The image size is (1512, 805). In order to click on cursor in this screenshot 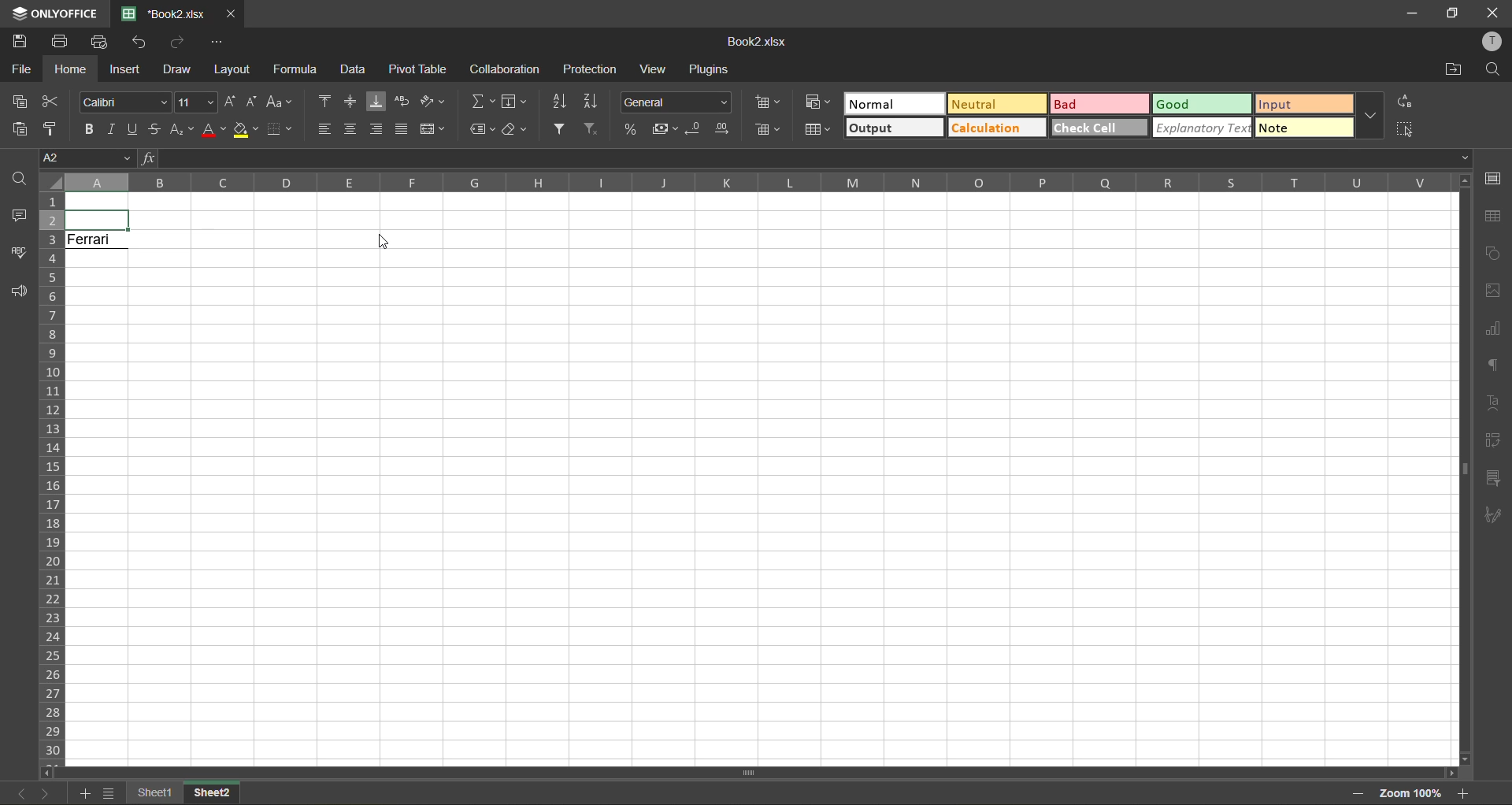, I will do `click(380, 244)`.